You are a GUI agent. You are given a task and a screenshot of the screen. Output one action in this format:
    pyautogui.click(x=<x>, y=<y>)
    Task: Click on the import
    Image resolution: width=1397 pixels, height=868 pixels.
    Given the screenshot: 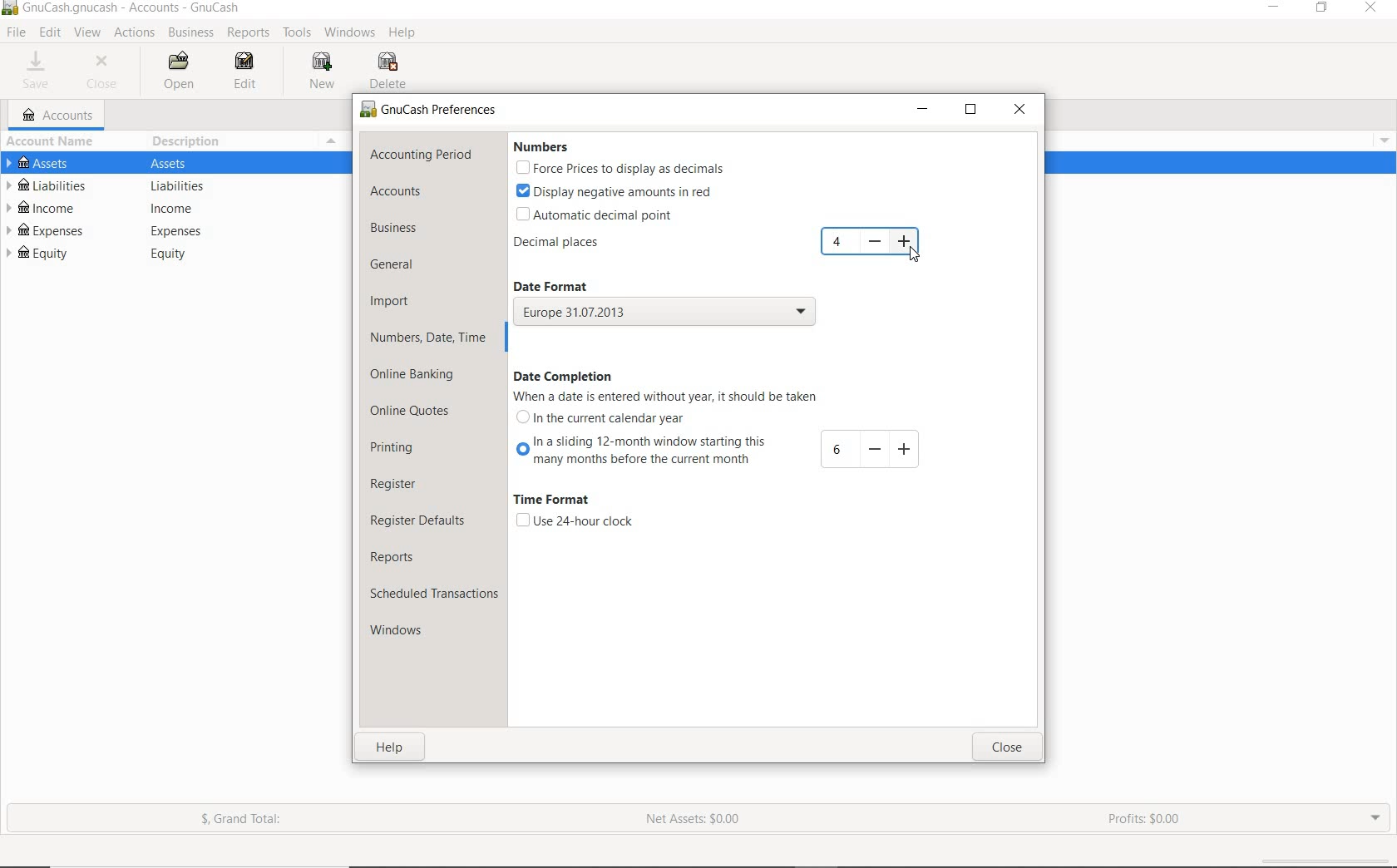 What is the action you would take?
    pyautogui.click(x=391, y=303)
    